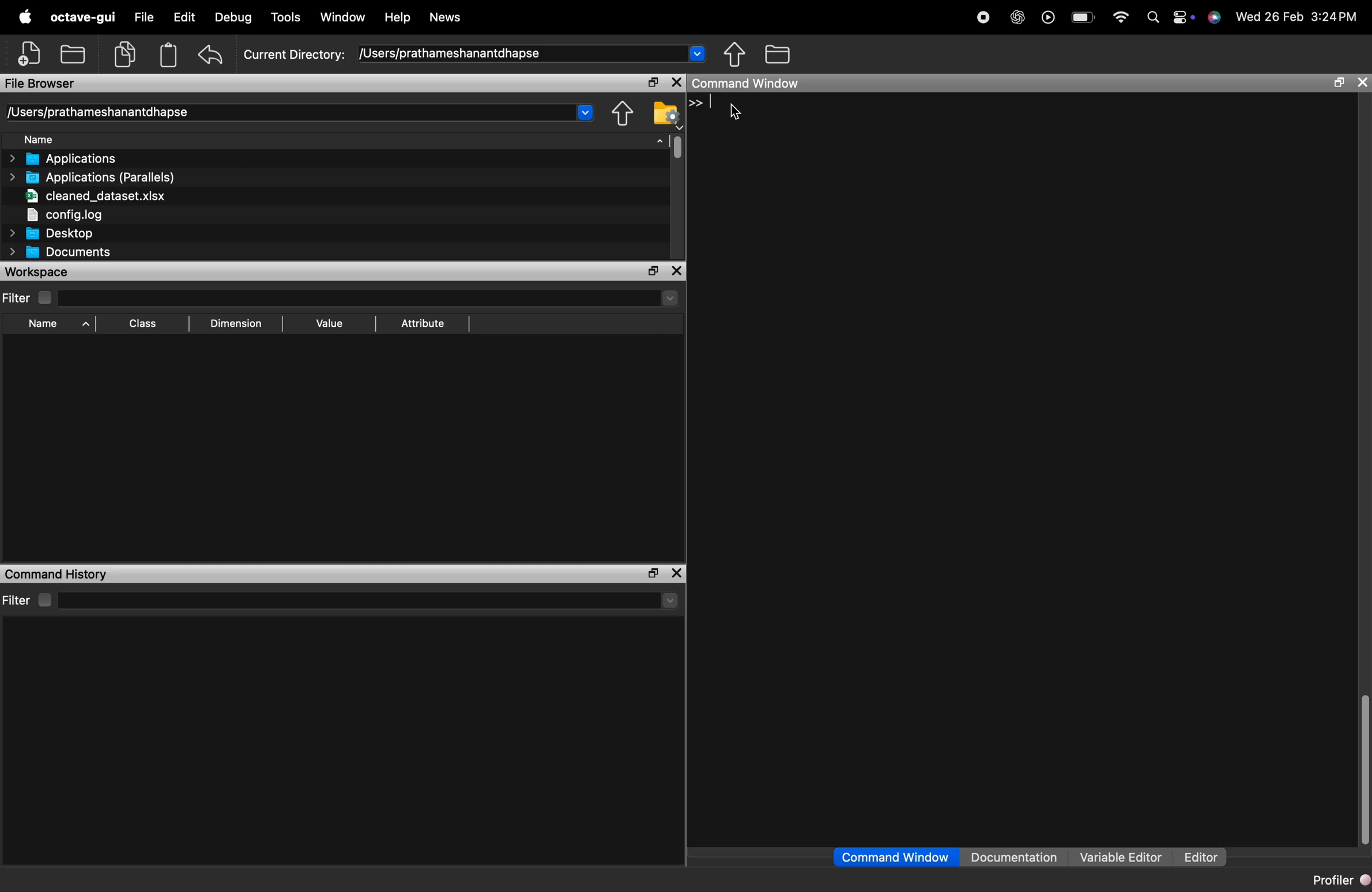 The image size is (1372, 892). Describe the element at coordinates (1182, 18) in the screenshot. I see `control center` at that location.